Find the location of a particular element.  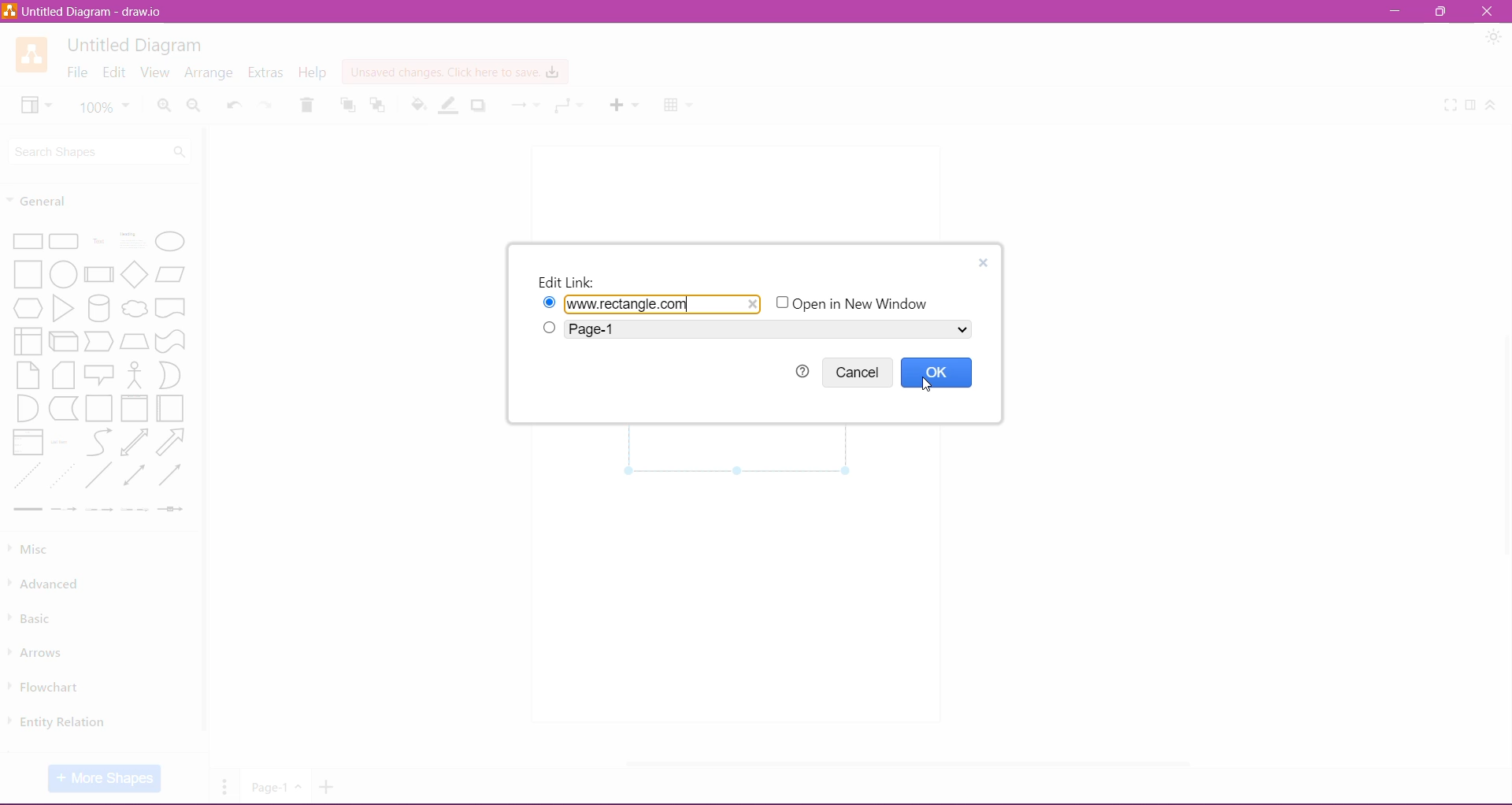

help is located at coordinates (801, 371).